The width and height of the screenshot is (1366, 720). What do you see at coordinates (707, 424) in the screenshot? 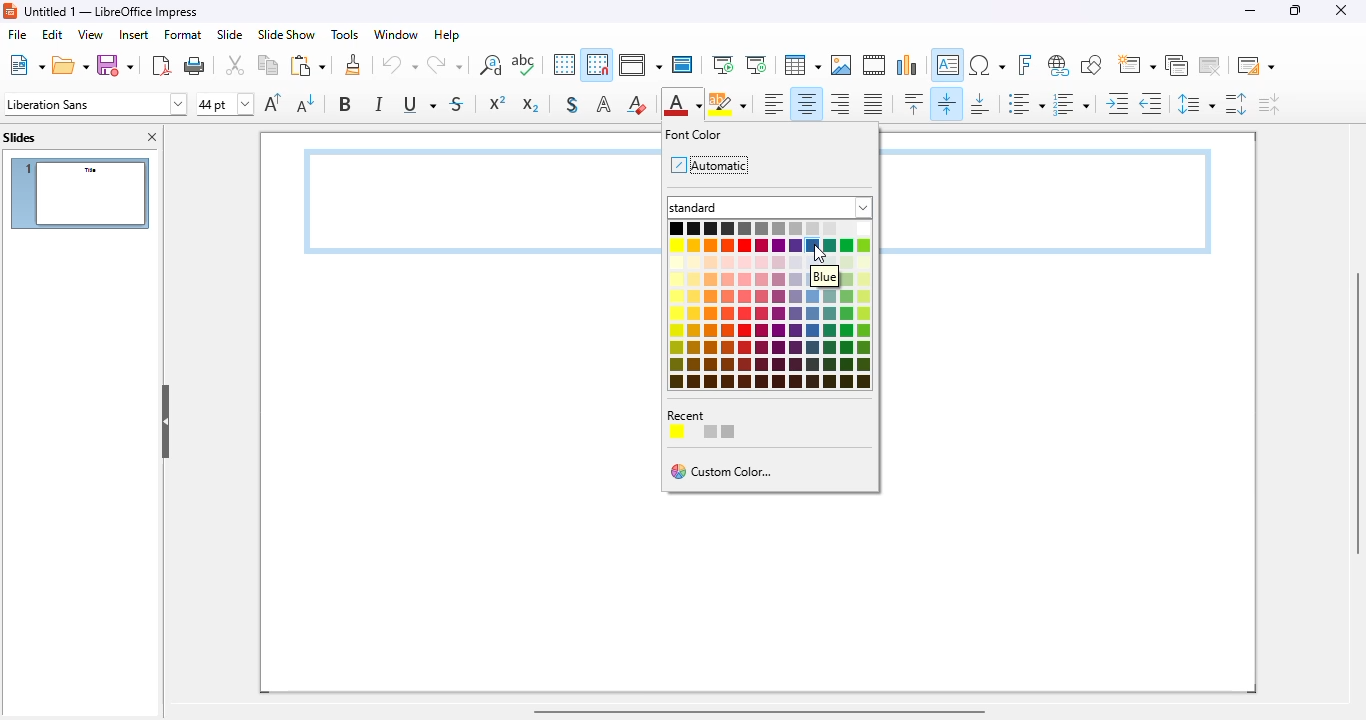
I see `recent colors` at bounding box center [707, 424].